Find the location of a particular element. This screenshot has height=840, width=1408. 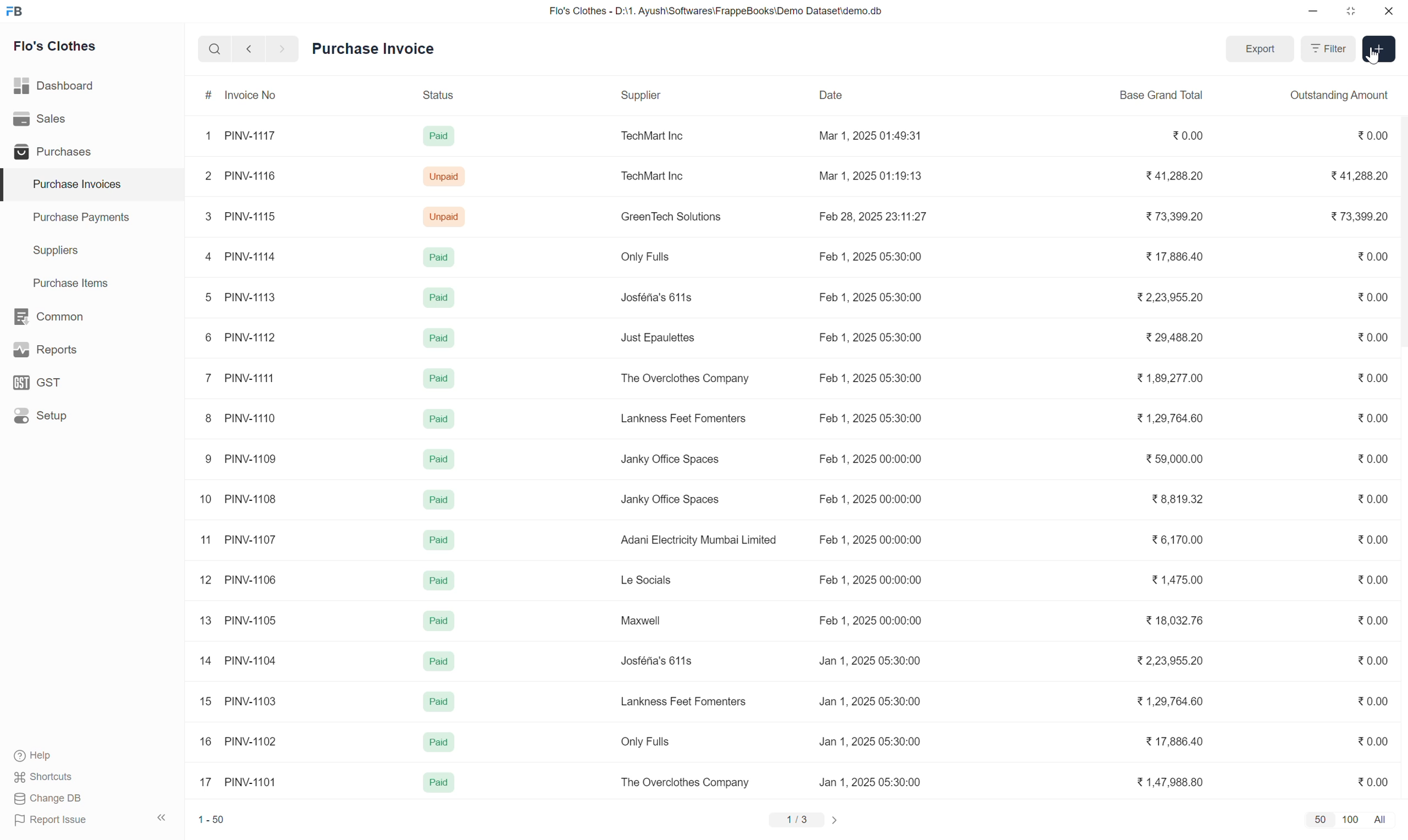

Le Socials is located at coordinates (650, 580).